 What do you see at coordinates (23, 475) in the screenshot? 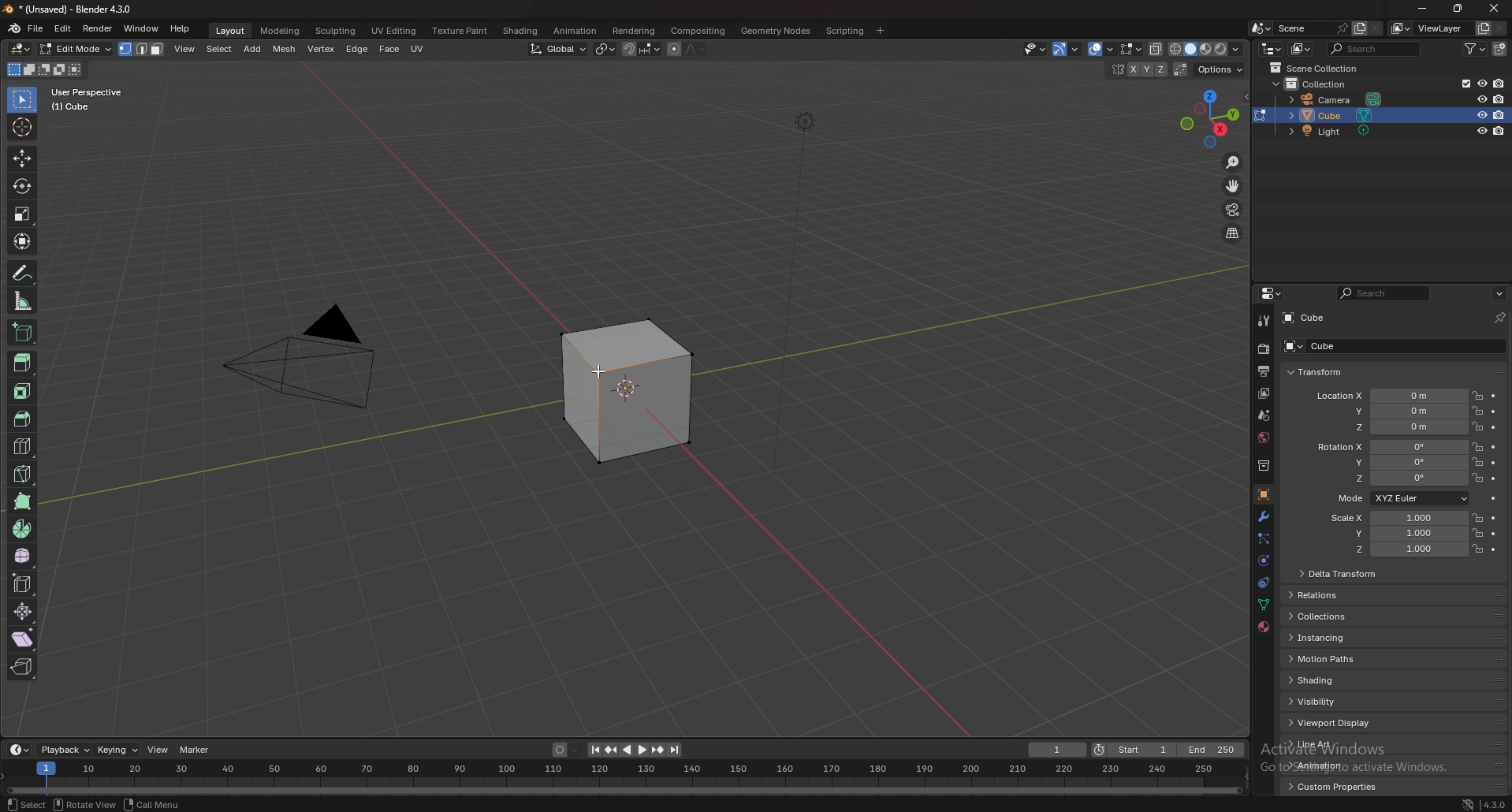
I see `knife` at bounding box center [23, 475].